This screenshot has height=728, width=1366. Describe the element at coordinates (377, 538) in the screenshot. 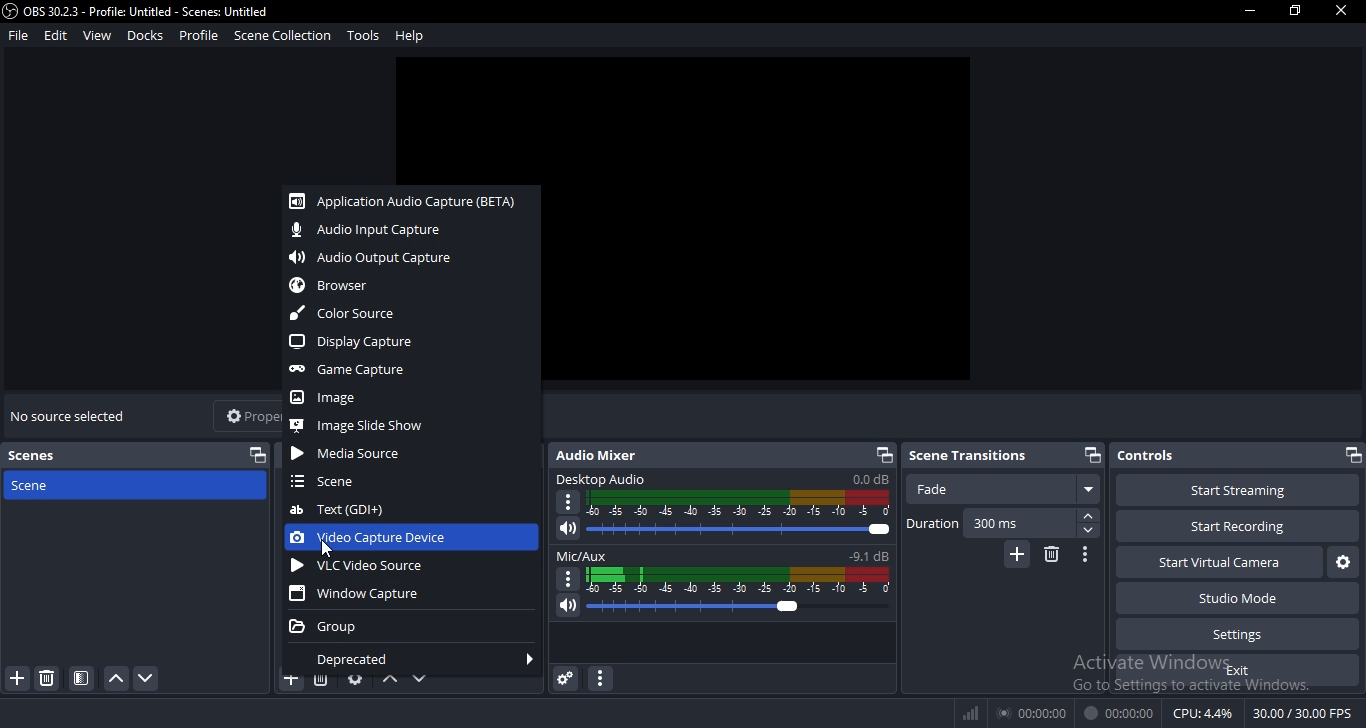

I see `video capture device` at that location.